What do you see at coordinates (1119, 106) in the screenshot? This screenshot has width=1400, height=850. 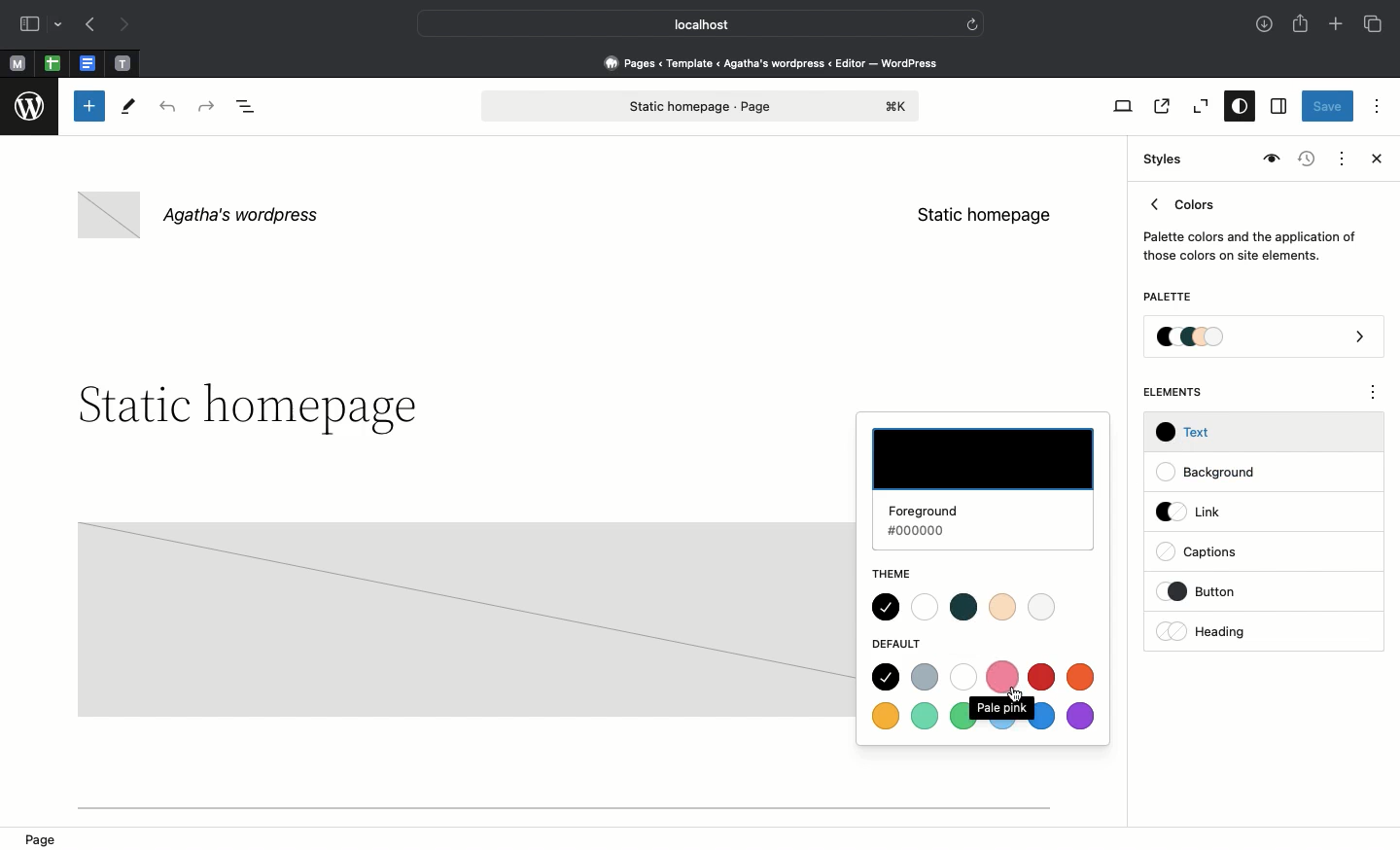 I see `View` at bounding box center [1119, 106].